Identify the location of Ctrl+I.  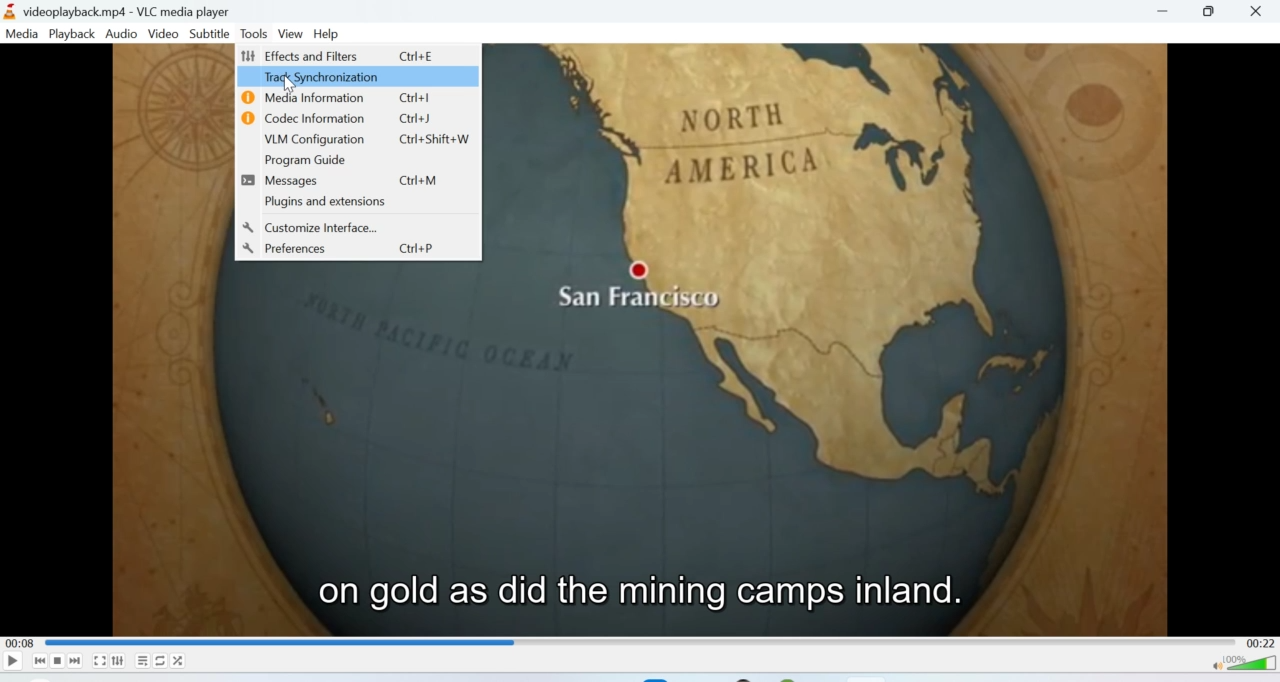
(419, 95).